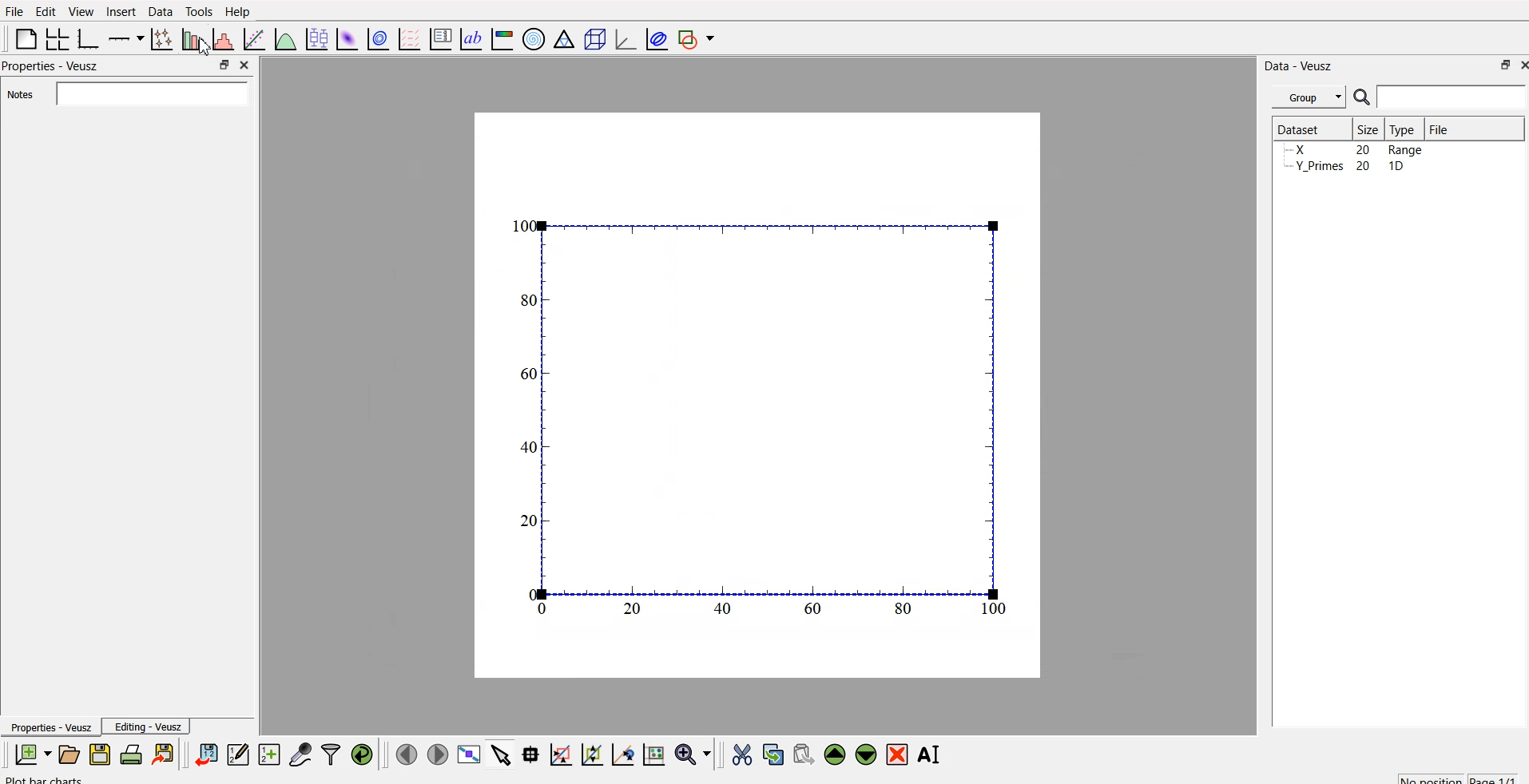 This screenshot has width=1529, height=784. What do you see at coordinates (100, 755) in the screenshot?
I see `save a document` at bounding box center [100, 755].